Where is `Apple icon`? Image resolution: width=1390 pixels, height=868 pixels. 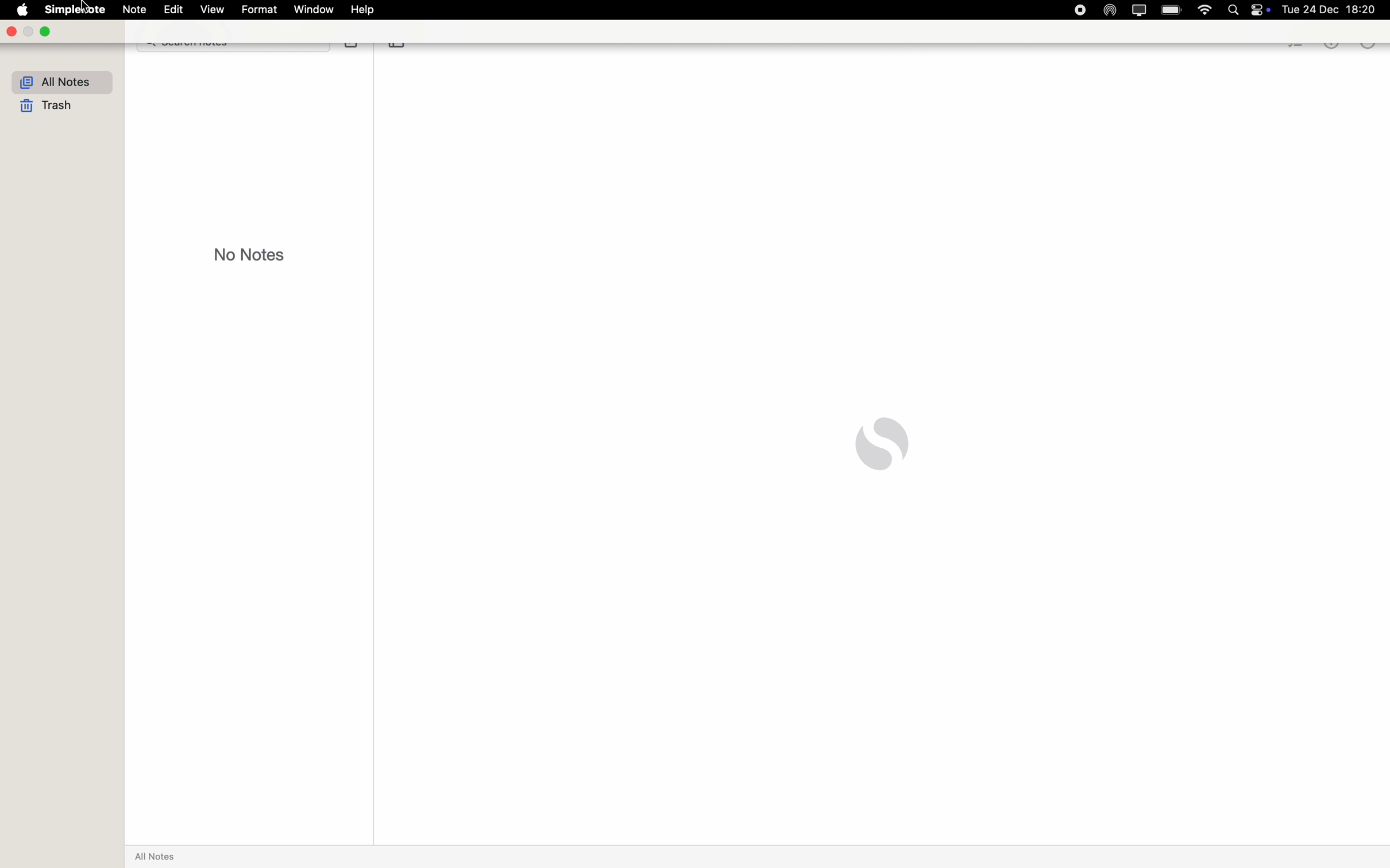
Apple icon is located at coordinates (20, 9).